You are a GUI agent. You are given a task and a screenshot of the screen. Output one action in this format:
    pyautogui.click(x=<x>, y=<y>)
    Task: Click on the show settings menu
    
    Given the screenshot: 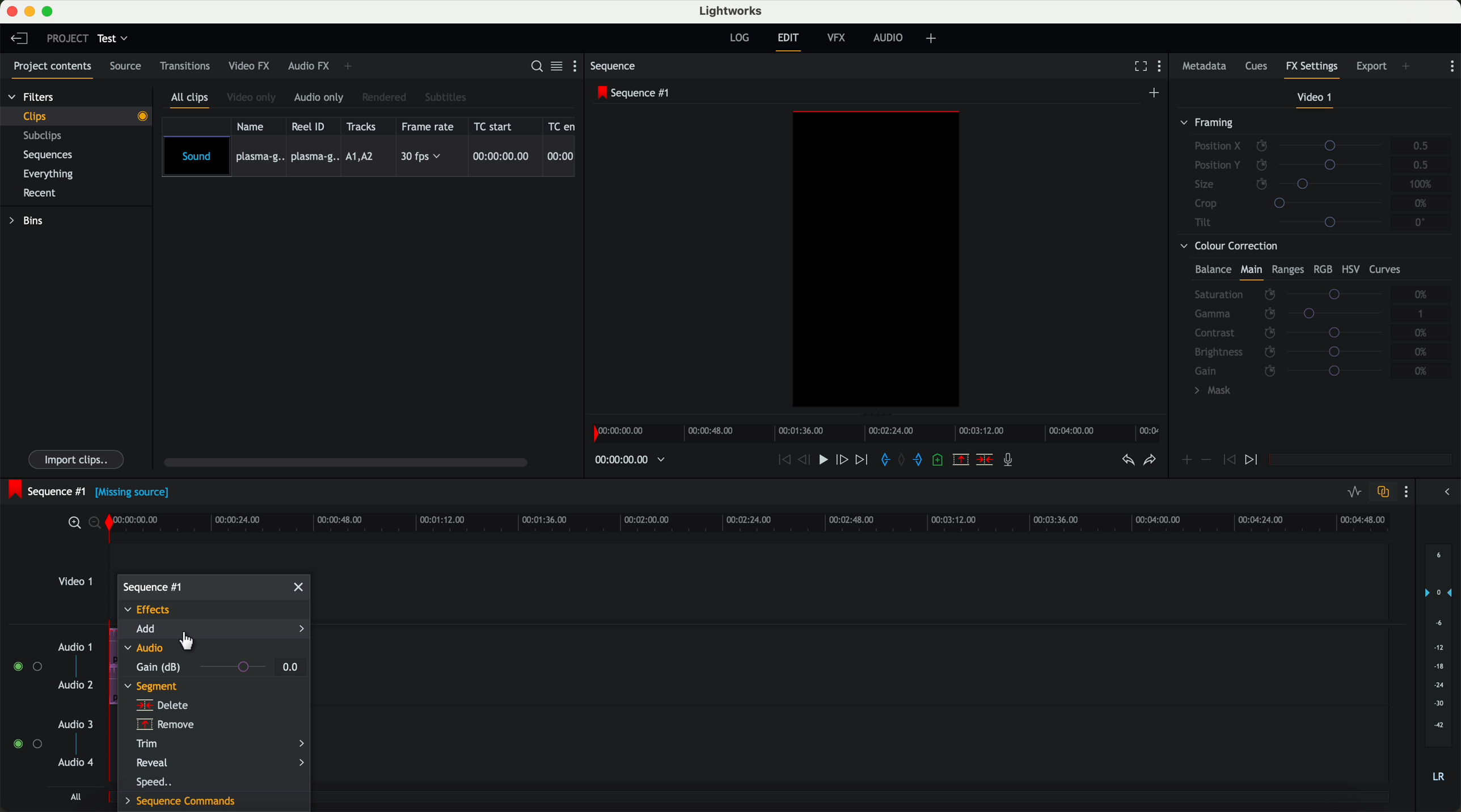 What is the action you would take?
    pyautogui.click(x=1452, y=66)
    